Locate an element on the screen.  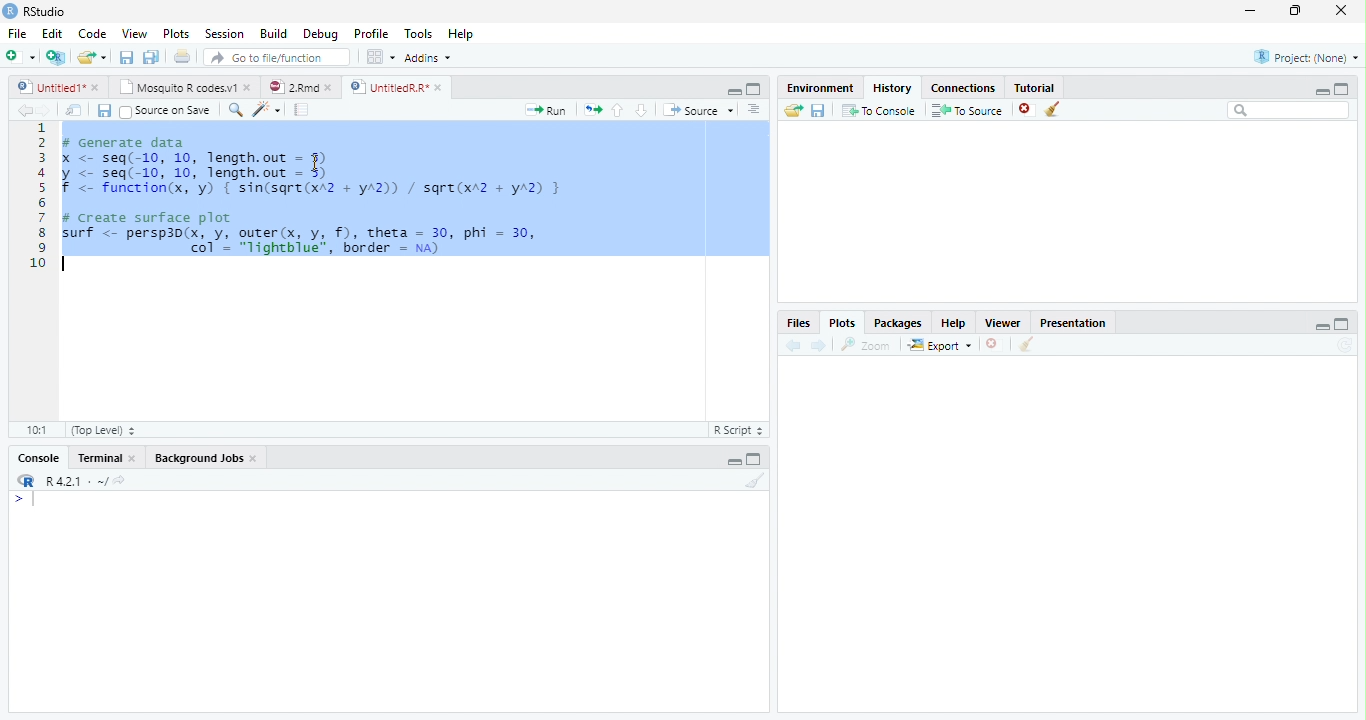
New line is located at coordinates (24, 502).